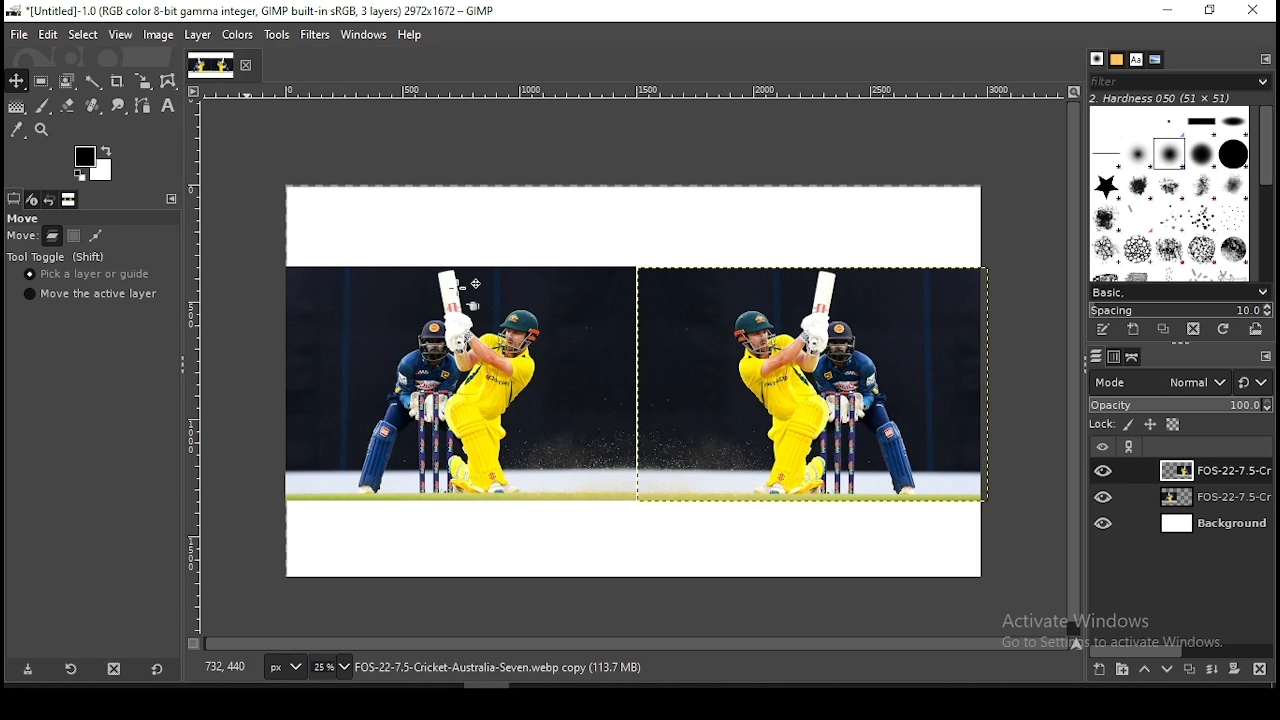  I want to click on select, so click(84, 36).